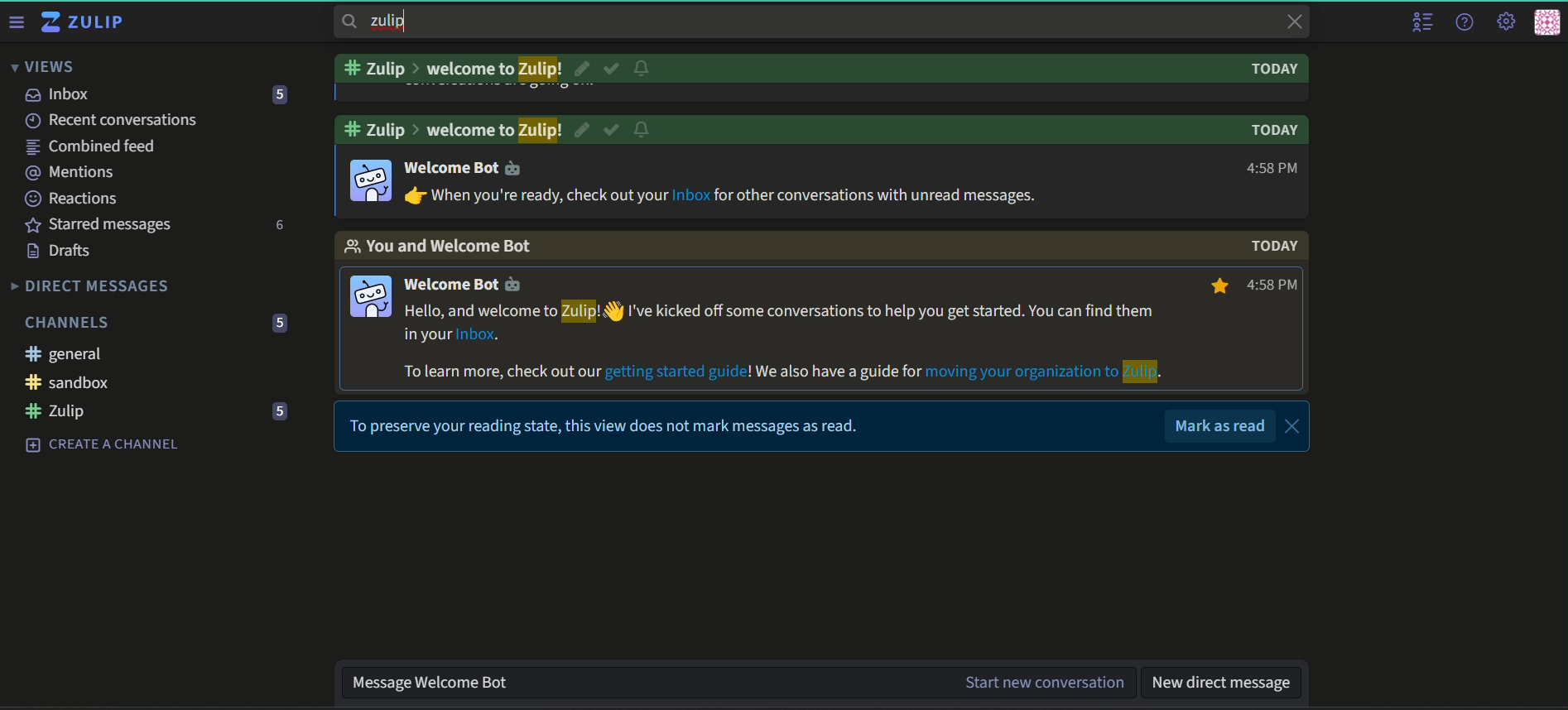 This screenshot has height=710, width=1568. I want to click on Channels, so click(70, 322).